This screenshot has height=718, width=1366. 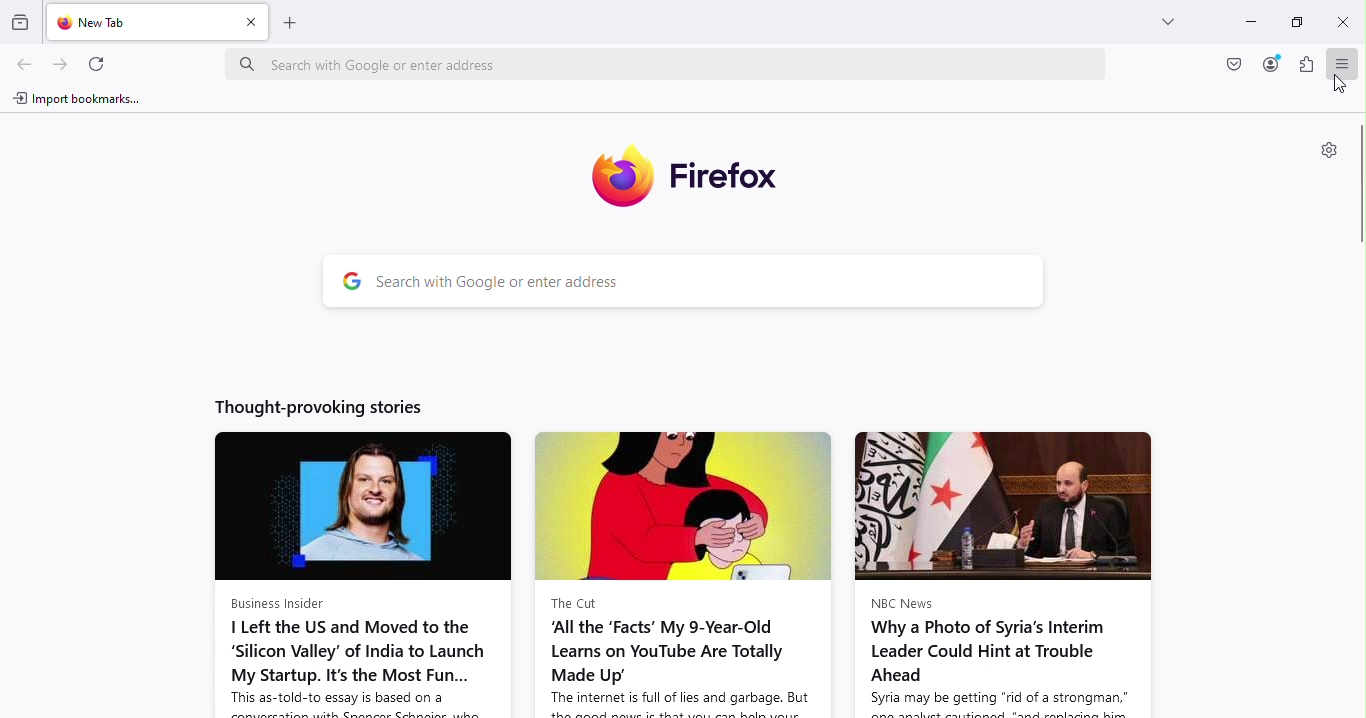 What do you see at coordinates (292, 26) in the screenshot?
I see `Open a new tab` at bounding box center [292, 26].